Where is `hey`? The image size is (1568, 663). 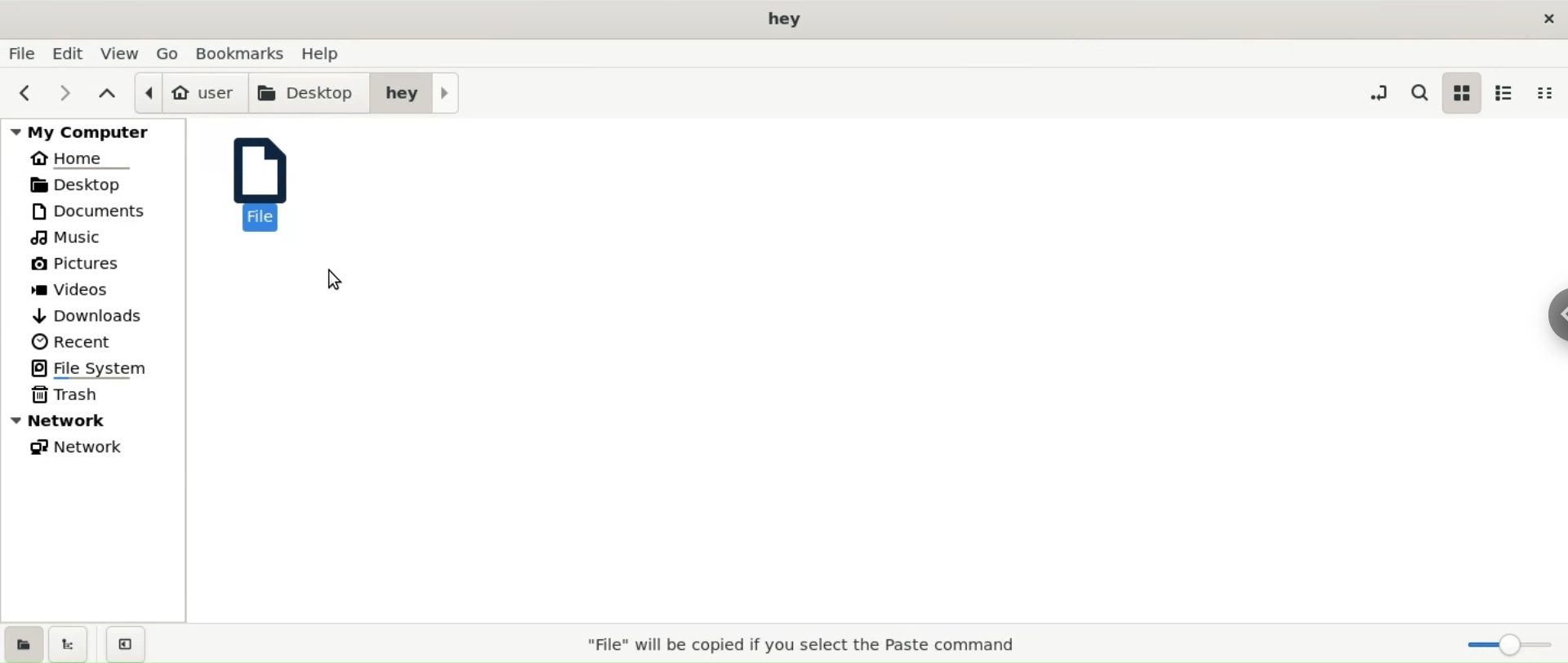
hey is located at coordinates (416, 91).